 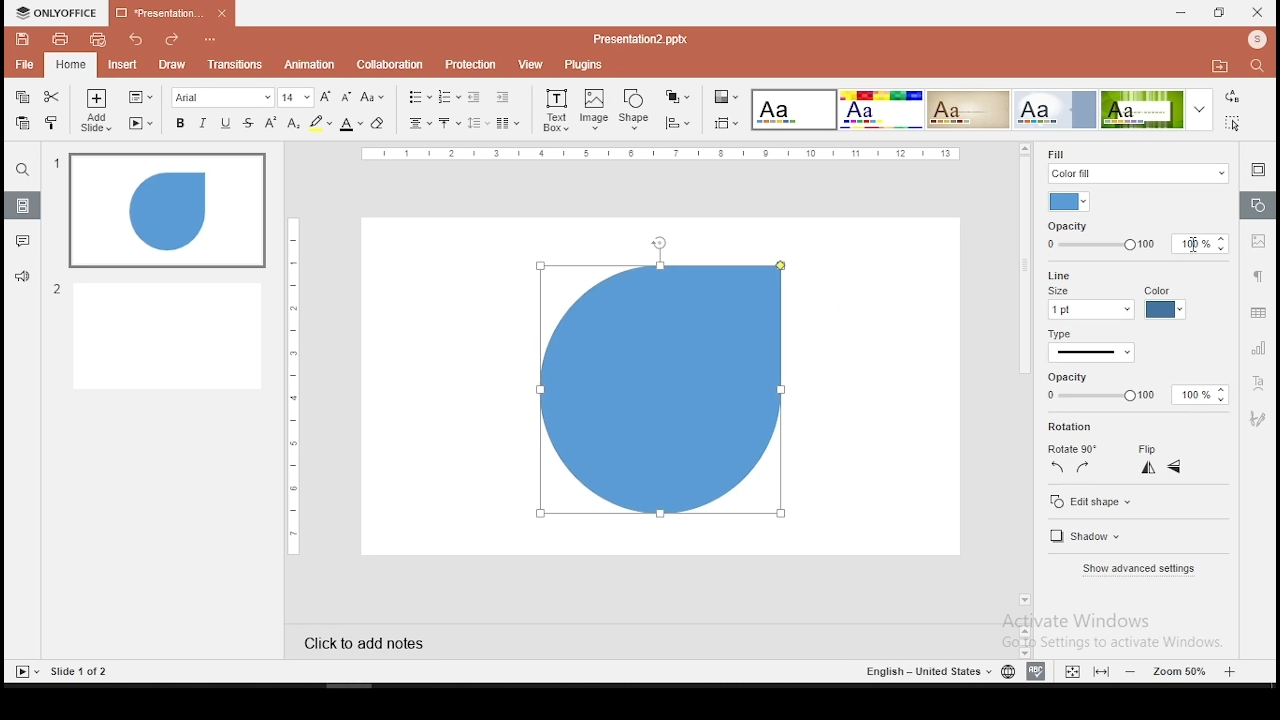 I want to click on image settings, so click(x=1260, y=243).